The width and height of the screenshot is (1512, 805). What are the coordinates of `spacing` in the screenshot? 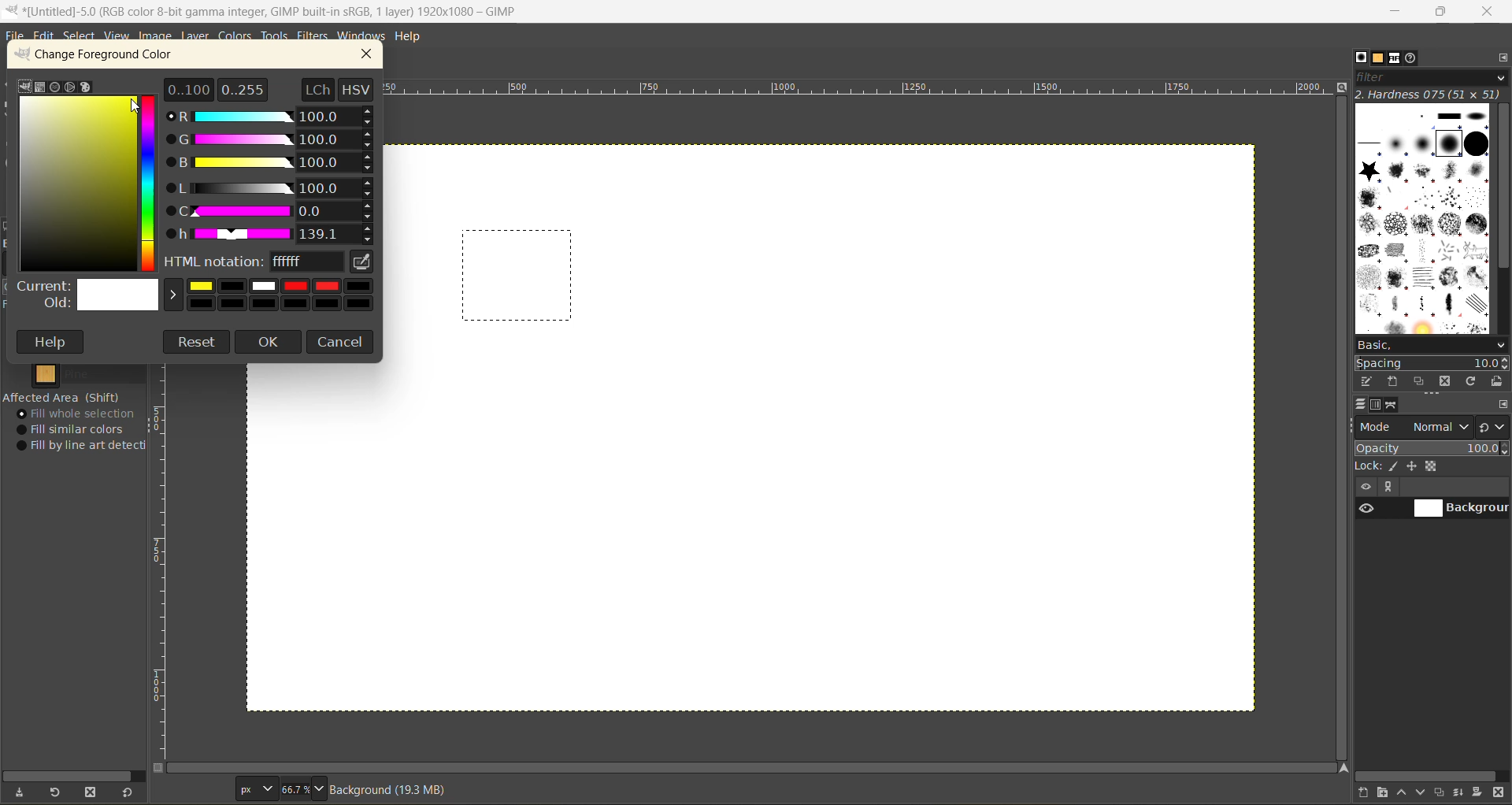 It's located at (1432, 361).